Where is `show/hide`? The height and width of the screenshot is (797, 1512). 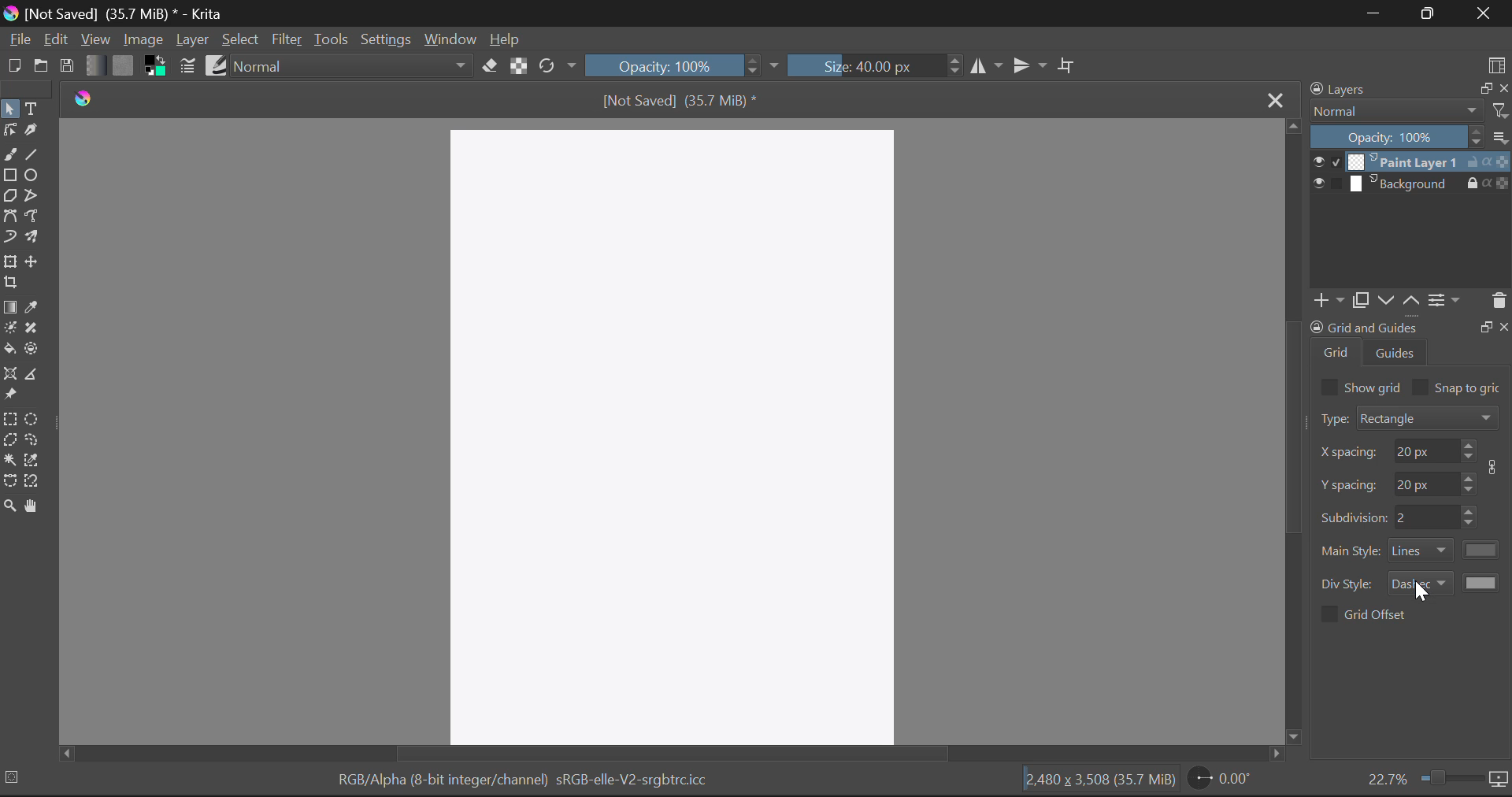 show/hide is located at coordinates (1326, 161).